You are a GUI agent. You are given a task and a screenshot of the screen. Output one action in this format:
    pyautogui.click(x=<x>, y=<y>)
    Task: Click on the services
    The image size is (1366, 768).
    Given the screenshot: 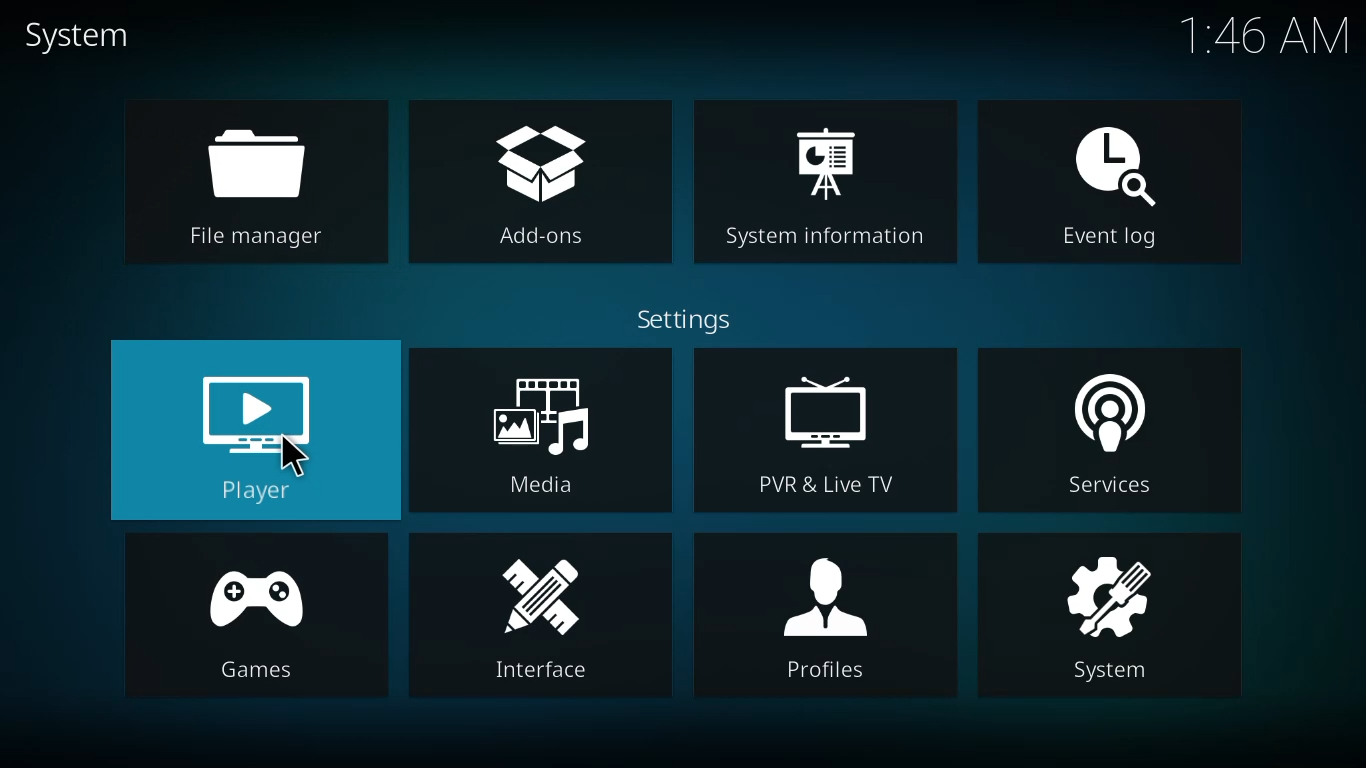 What is the action you would take?
    pyautogui.click(x=1113, y=431)
    